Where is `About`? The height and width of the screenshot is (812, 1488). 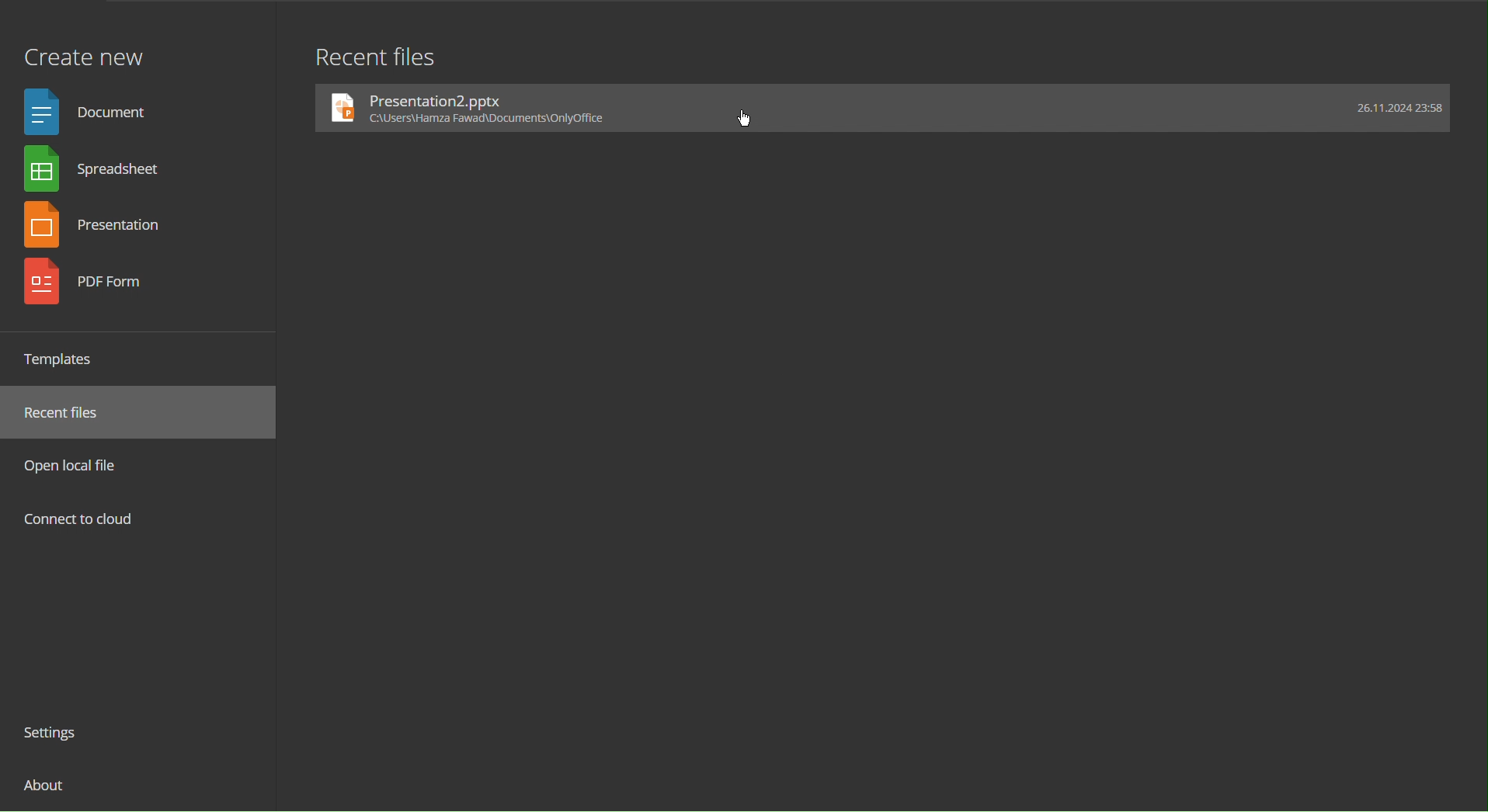 About is located at coordinates (47, 791).